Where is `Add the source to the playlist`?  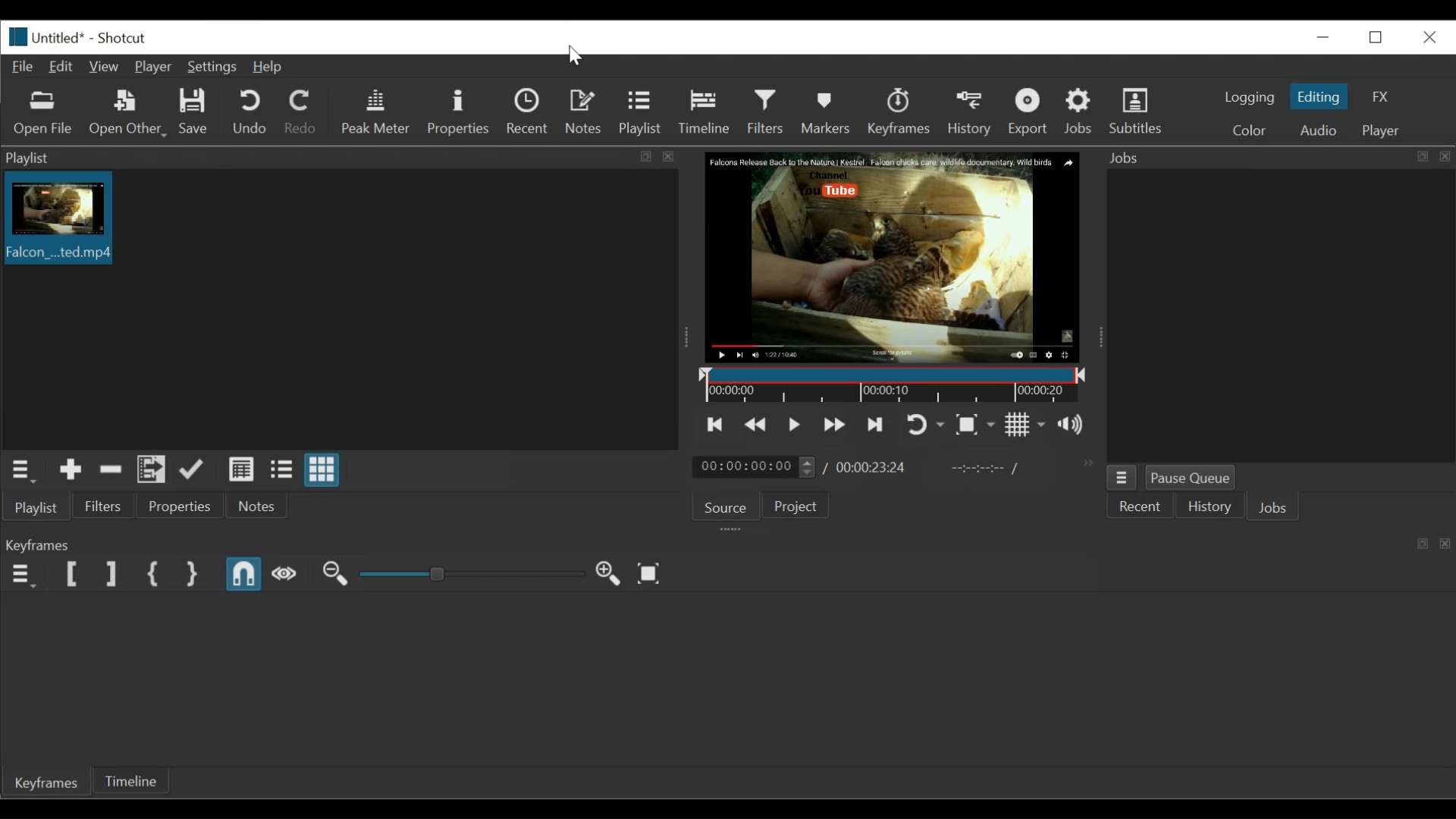
Add the source to the playlist is located at coordinates (70, 472).